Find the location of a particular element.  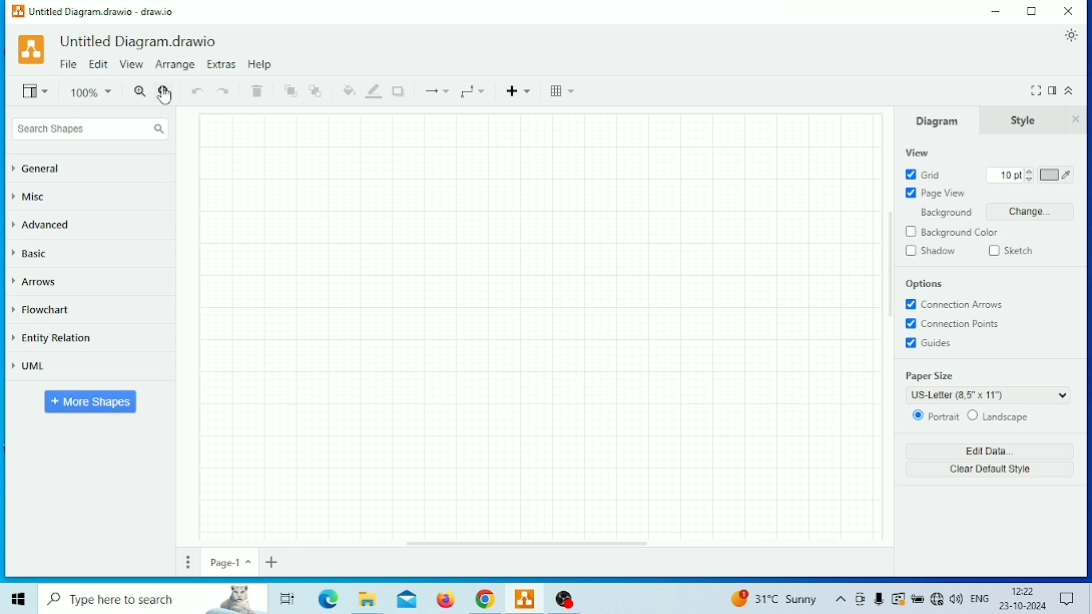

Internet is located at coordinates (937, 598).